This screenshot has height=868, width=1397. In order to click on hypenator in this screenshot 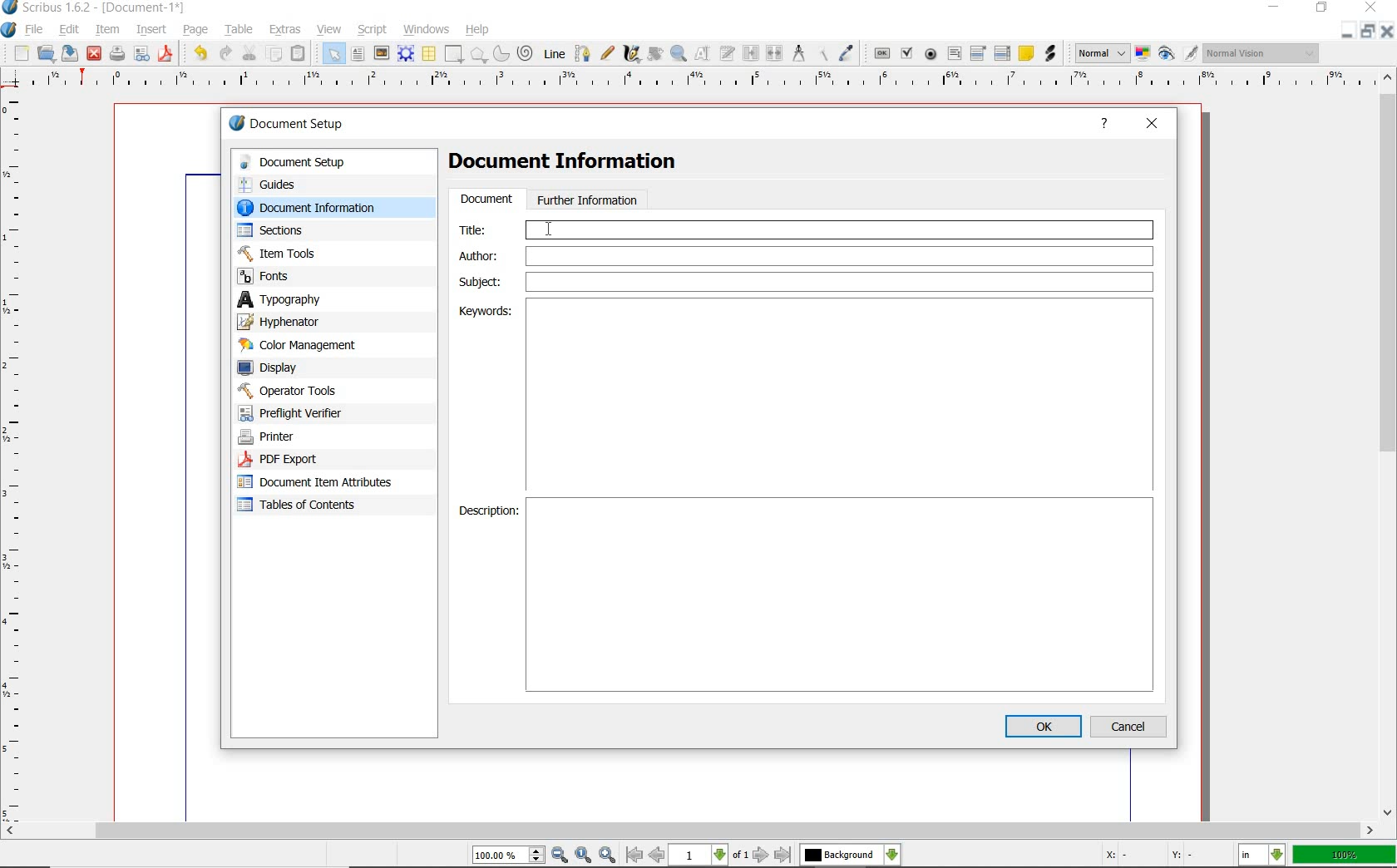, I will do `click(291, 322)`.